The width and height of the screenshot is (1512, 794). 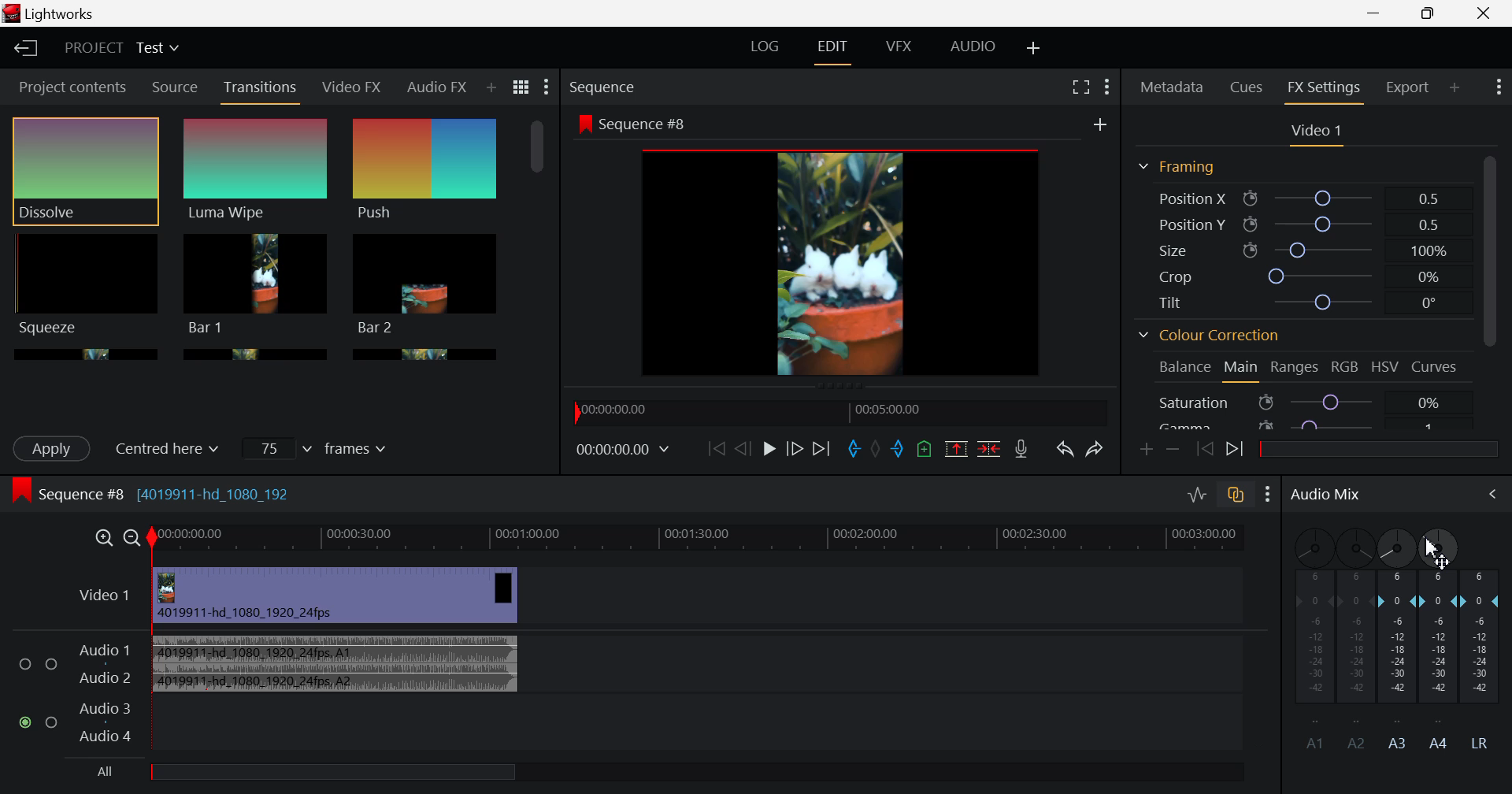 I want to click on A4 Channel Decibel Level, so click(x=1441, y=665).